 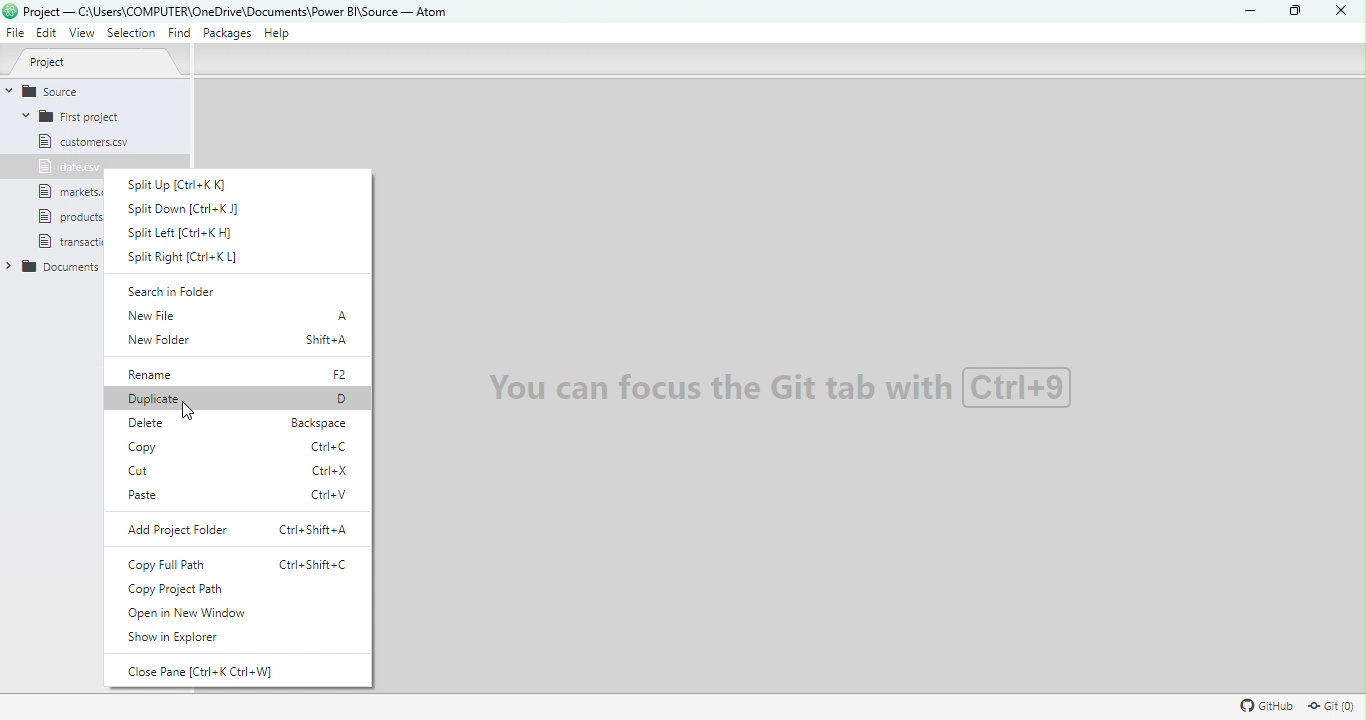 I want to click on Source, so click(x=77, y=90).